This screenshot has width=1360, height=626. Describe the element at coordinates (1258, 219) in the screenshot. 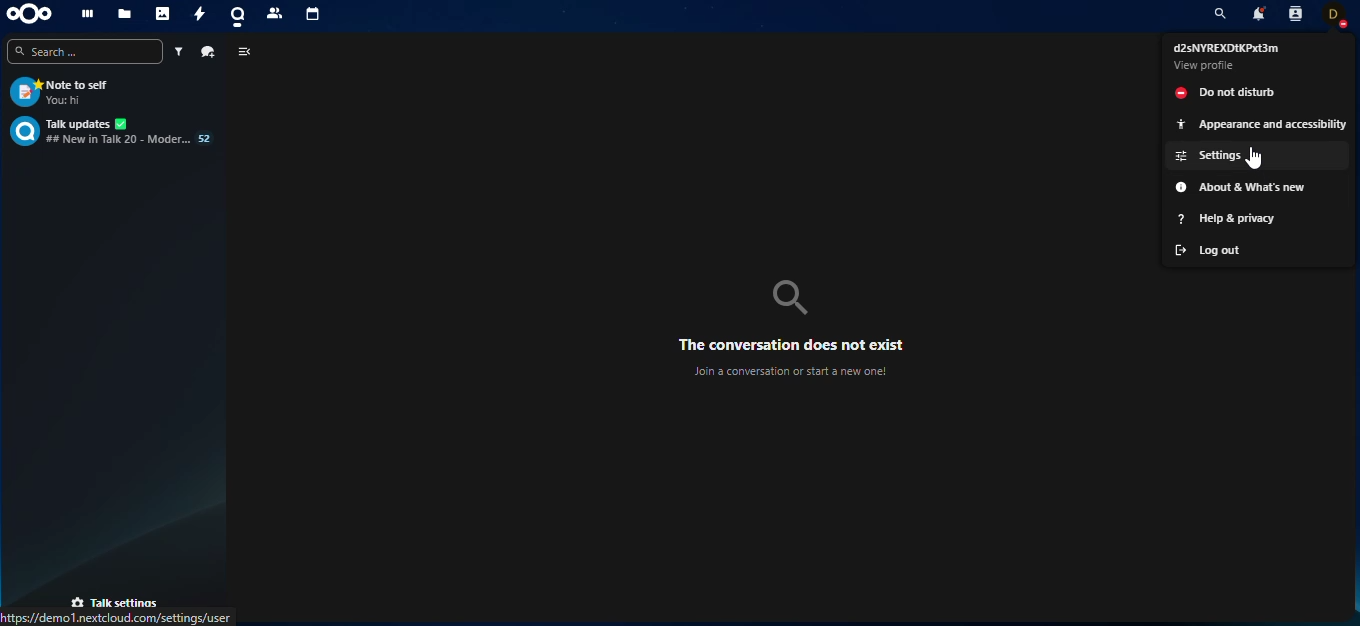

I see `Help & privacy` at that location.